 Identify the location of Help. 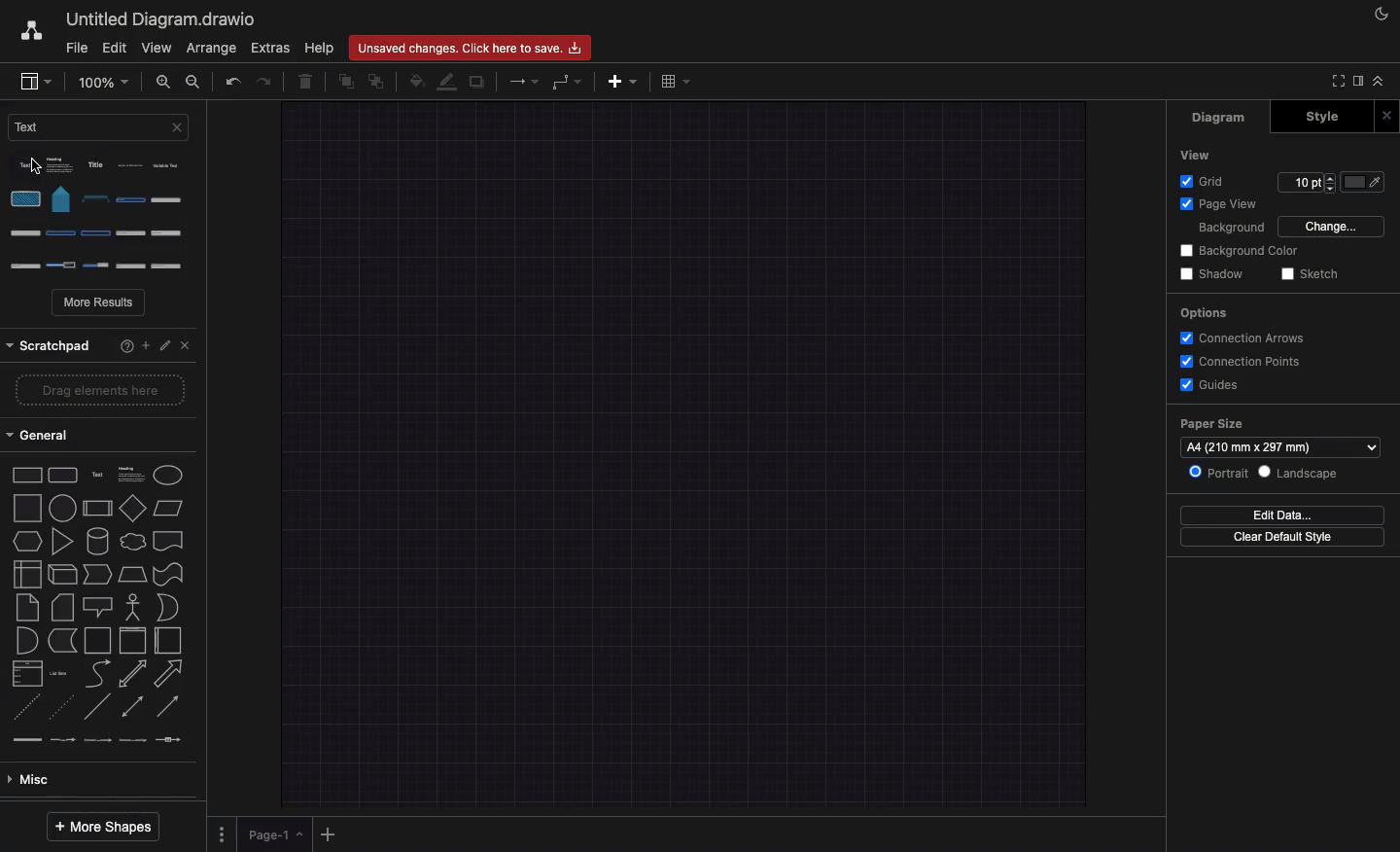
(120, 344).